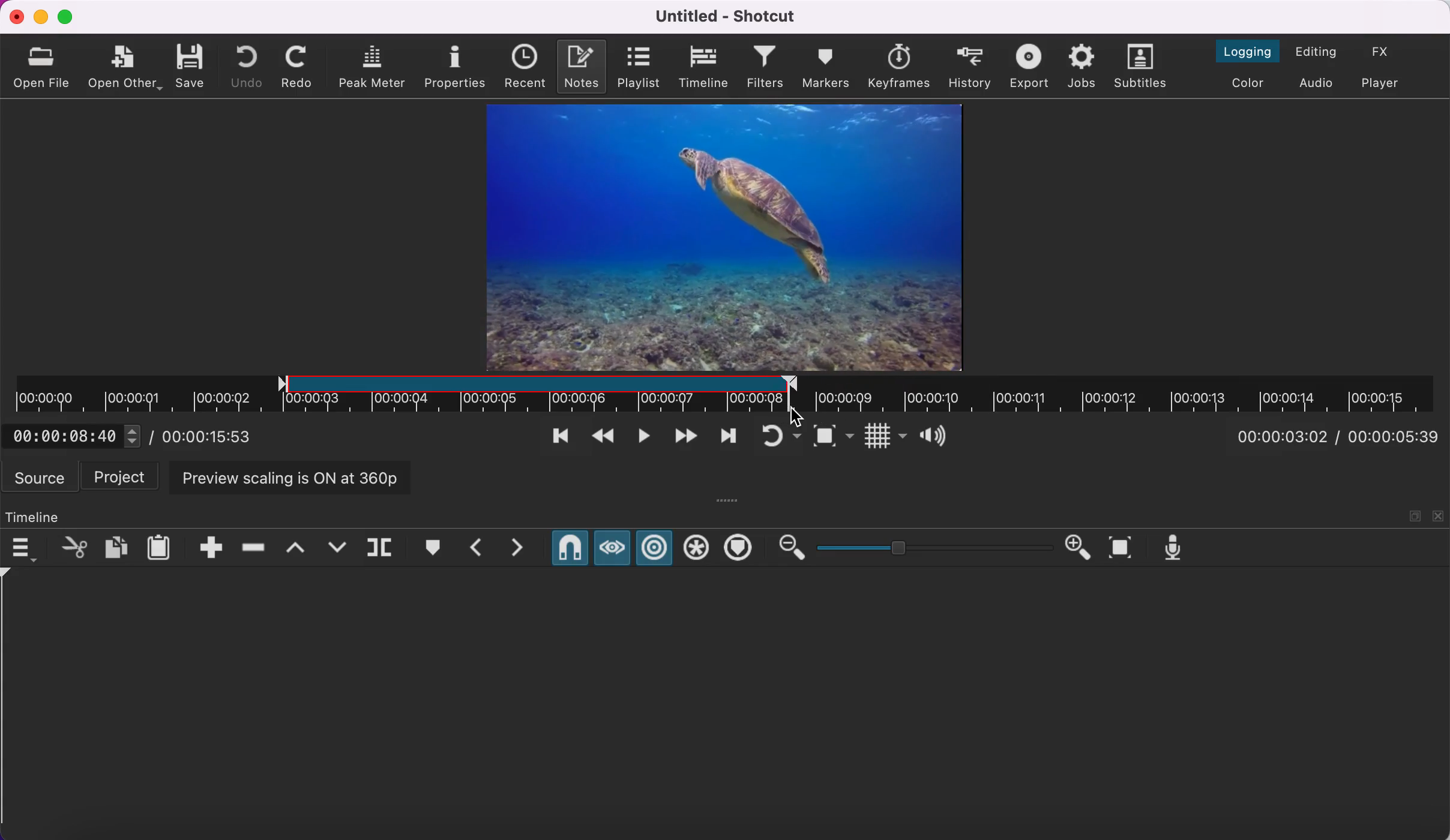  What do you see at coordinates (802, 418) in the screenshot?
I see `cursor` at bounding box center [802, 418].